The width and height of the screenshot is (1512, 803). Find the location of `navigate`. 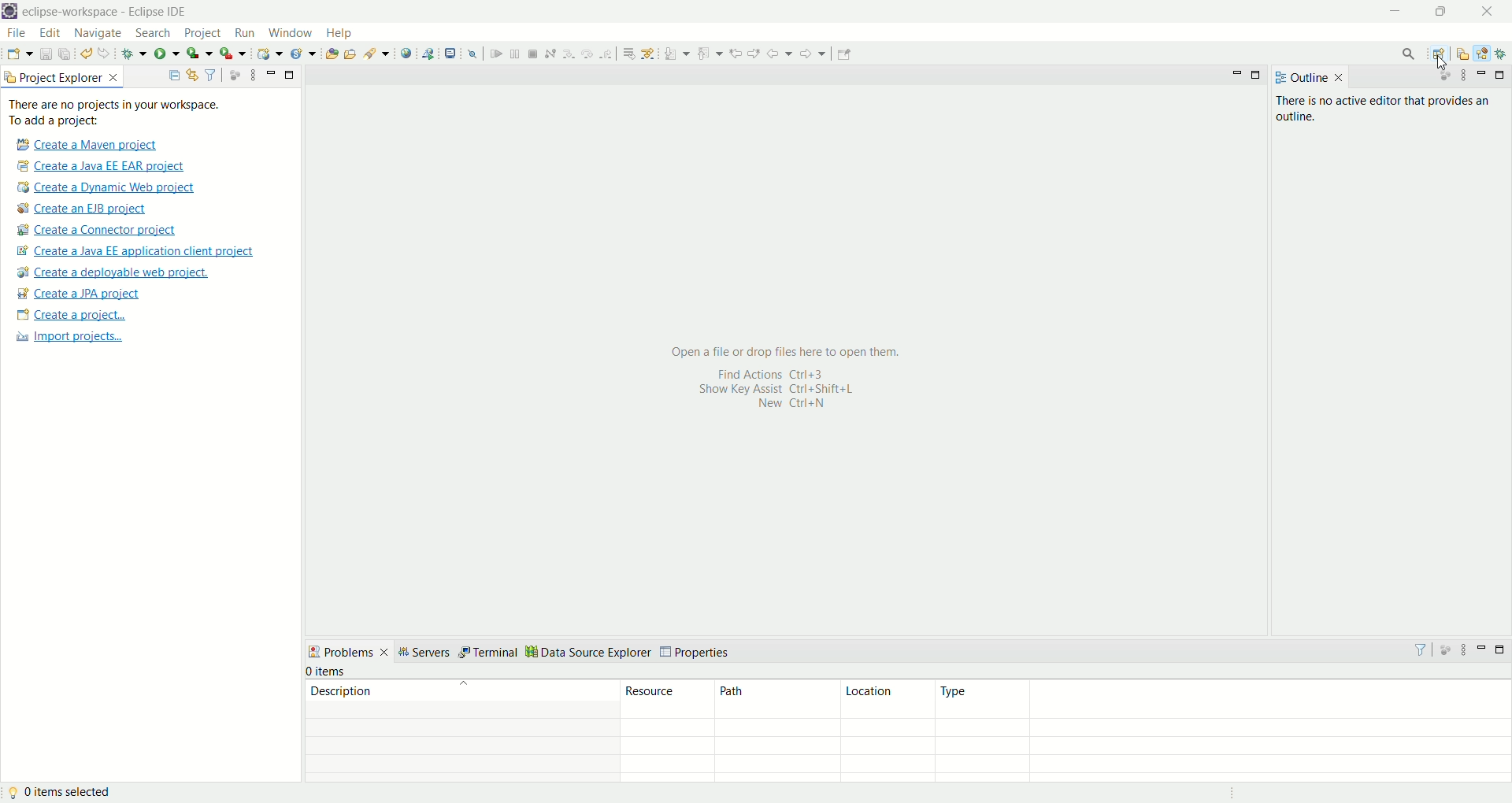

navigate is located at coordinates (100, 35).